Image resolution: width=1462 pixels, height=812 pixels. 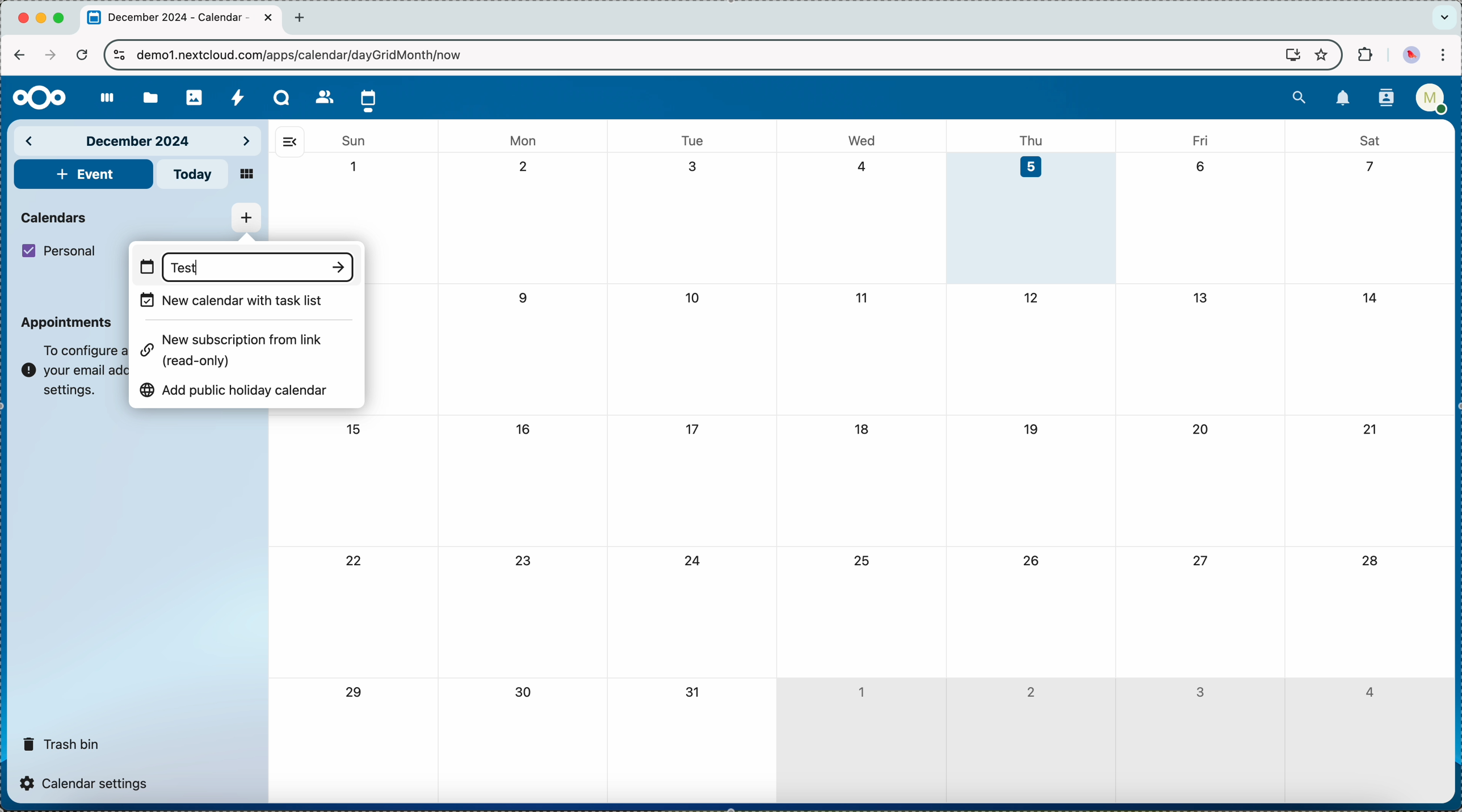 What do you see at coordinates (528, 167) in the screenshot?
I see `2` at bounding box center [528, 167].